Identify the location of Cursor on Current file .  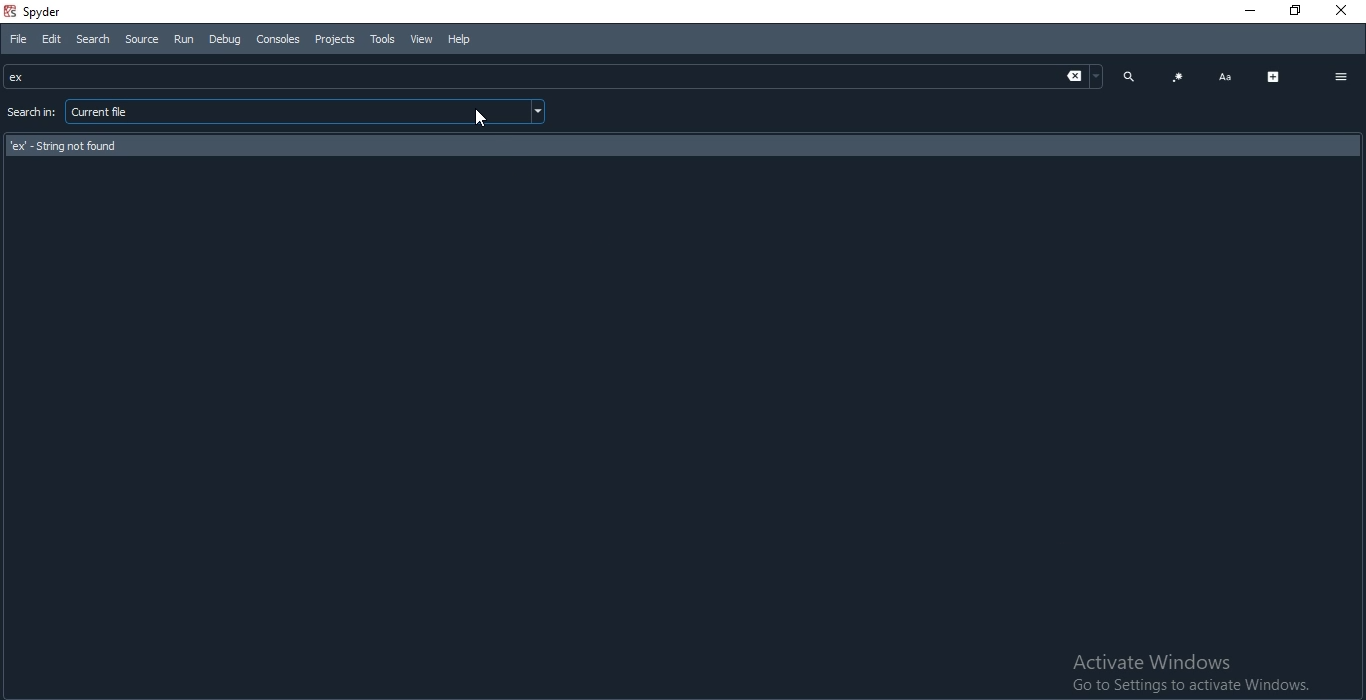
(485, 120).